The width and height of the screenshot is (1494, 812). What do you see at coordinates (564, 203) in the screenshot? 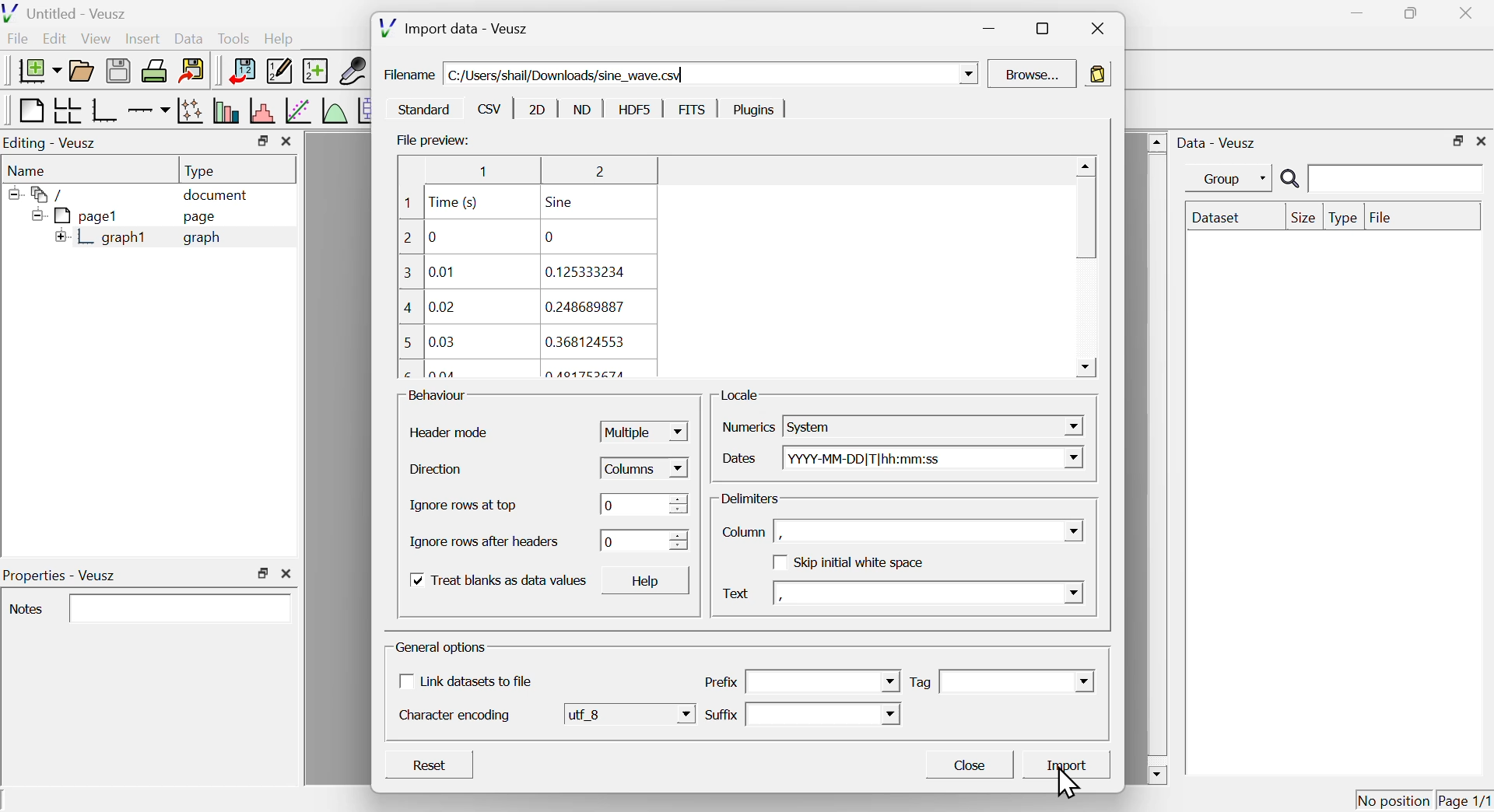
I see `sine` at bounding box center [564, 203].